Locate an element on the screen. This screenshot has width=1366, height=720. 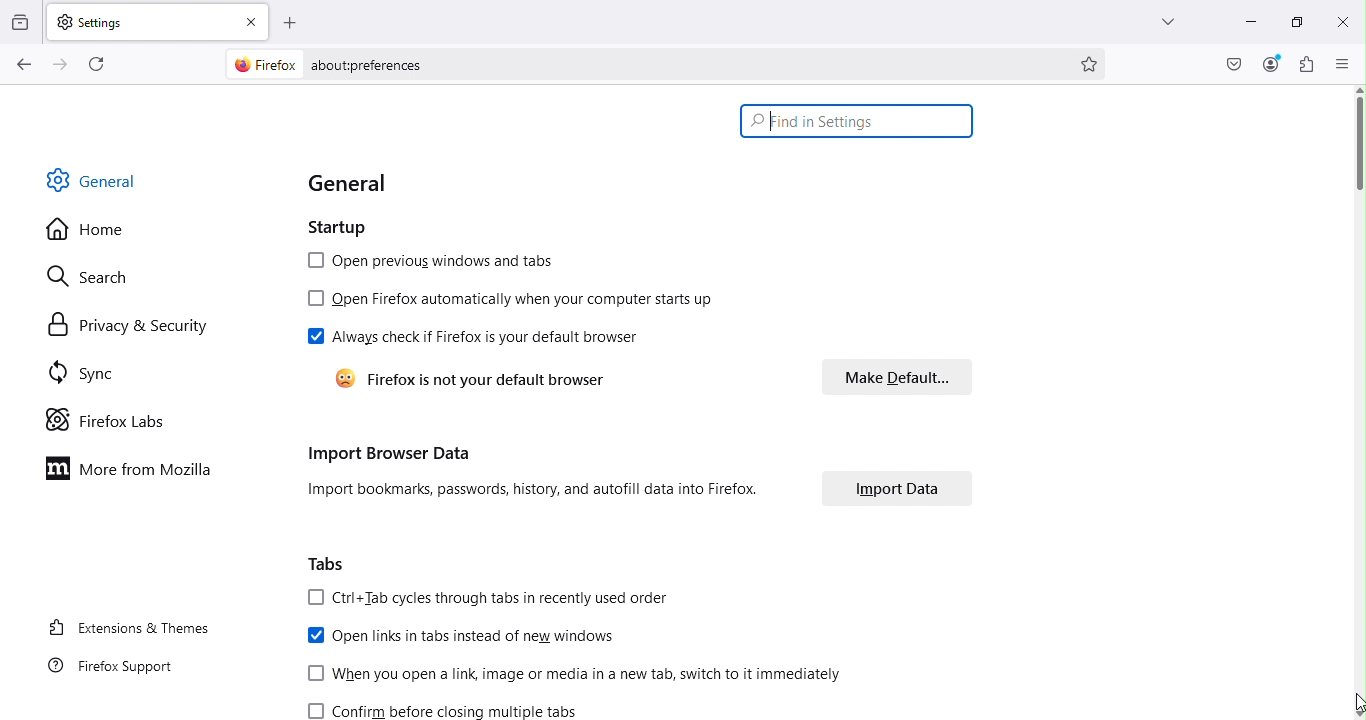
General is located at coordinates (114, 186).